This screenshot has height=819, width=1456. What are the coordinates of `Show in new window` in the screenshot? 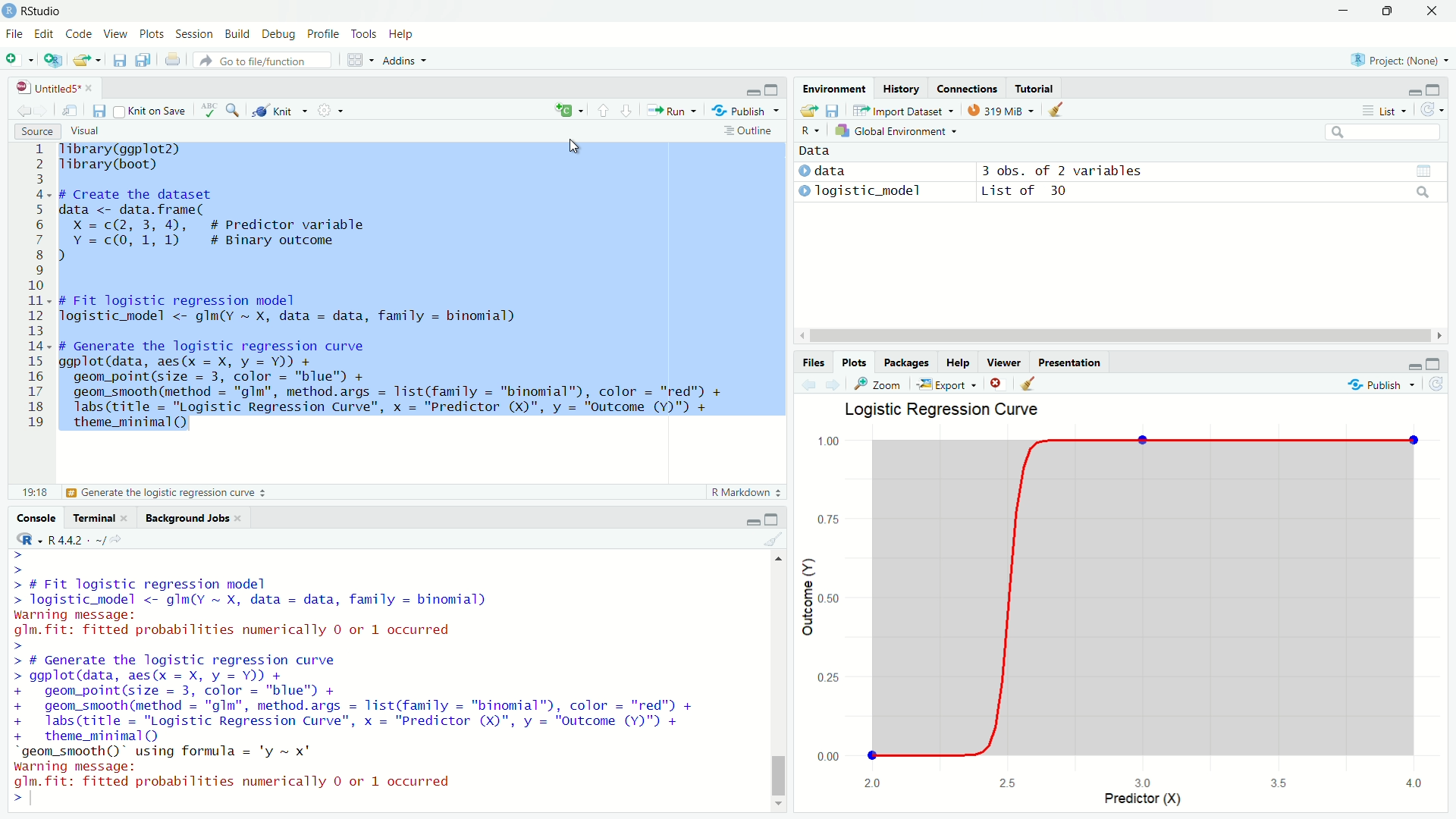 It's located at (70, 111).